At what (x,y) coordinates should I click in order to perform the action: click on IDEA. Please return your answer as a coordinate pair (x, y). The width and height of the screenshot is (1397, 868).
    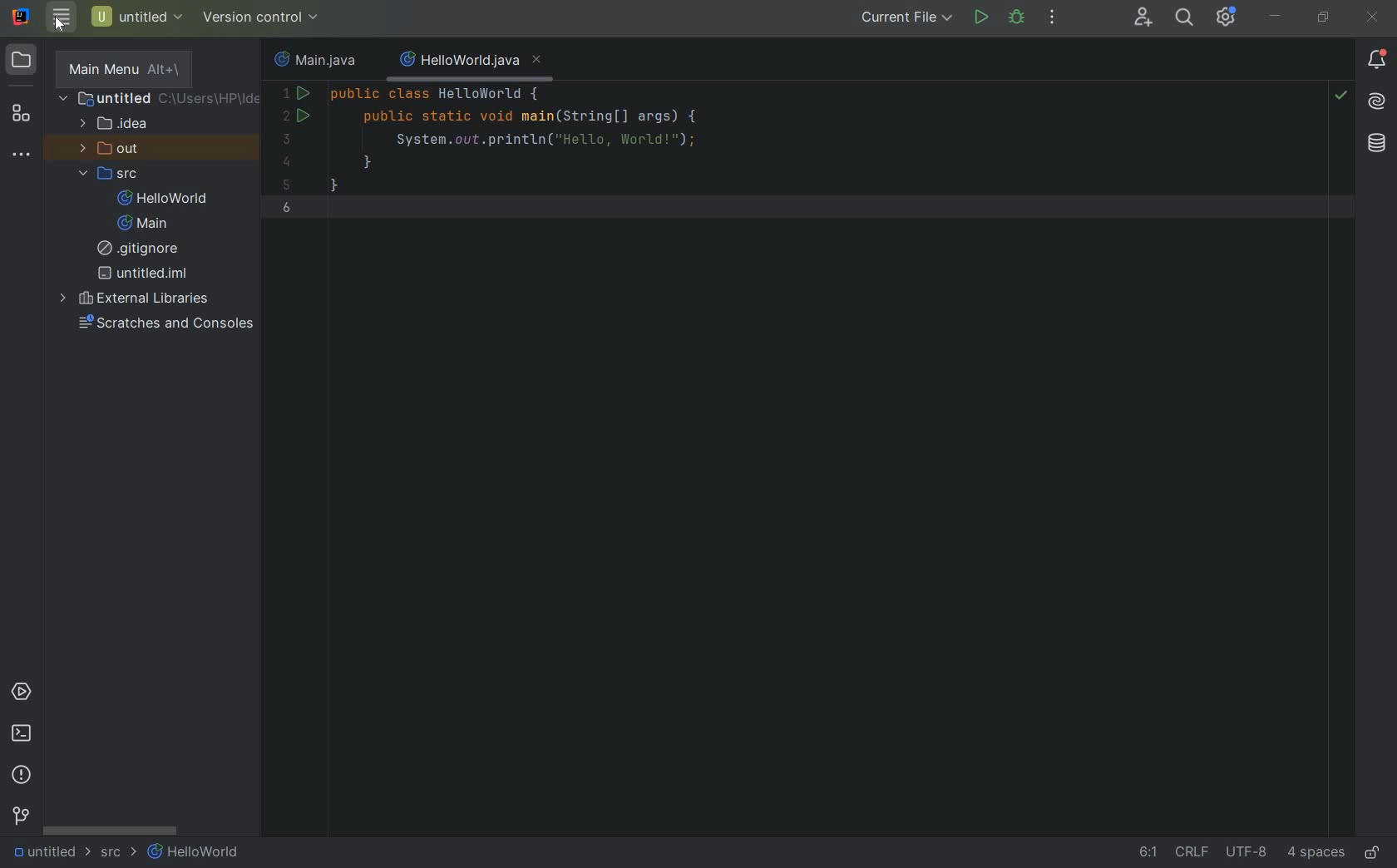
    Looking at the image, I should click on (118, 124).